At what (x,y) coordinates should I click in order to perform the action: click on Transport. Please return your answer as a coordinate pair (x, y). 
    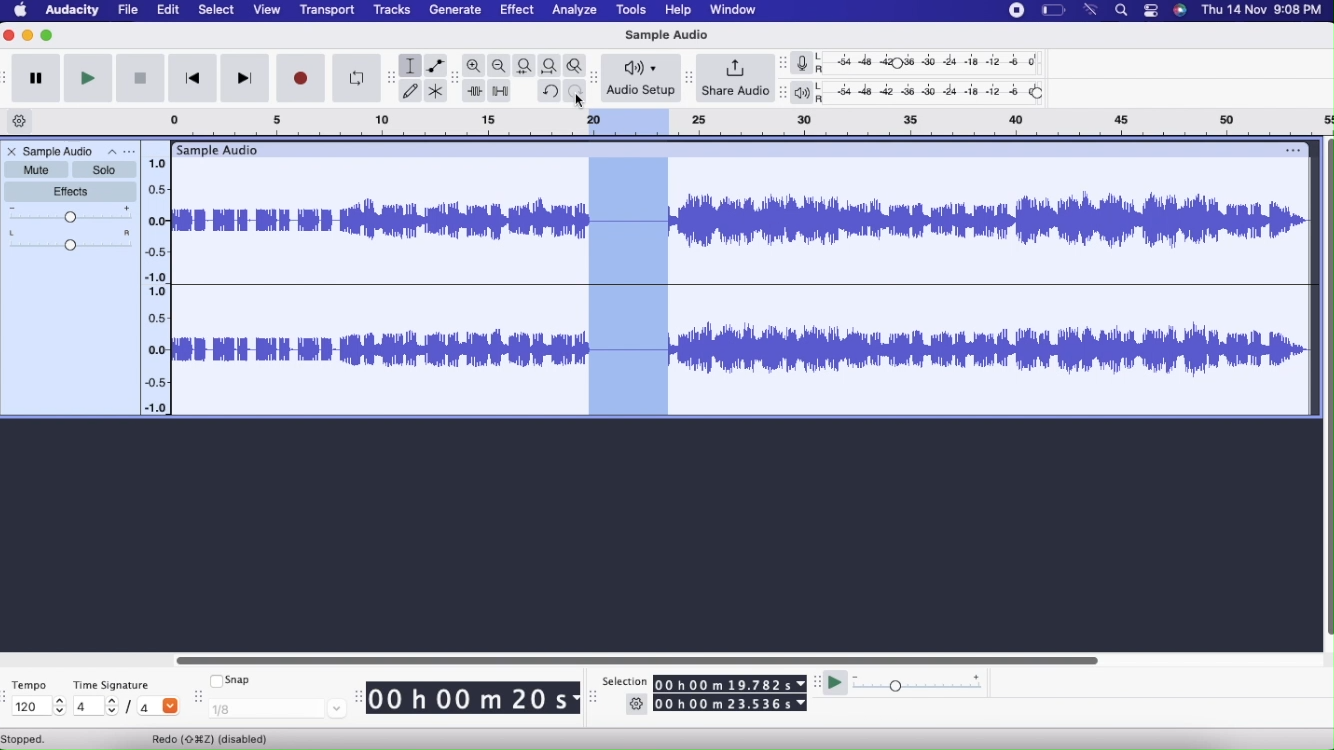
    Looking at the image, I should click on (328, 11).